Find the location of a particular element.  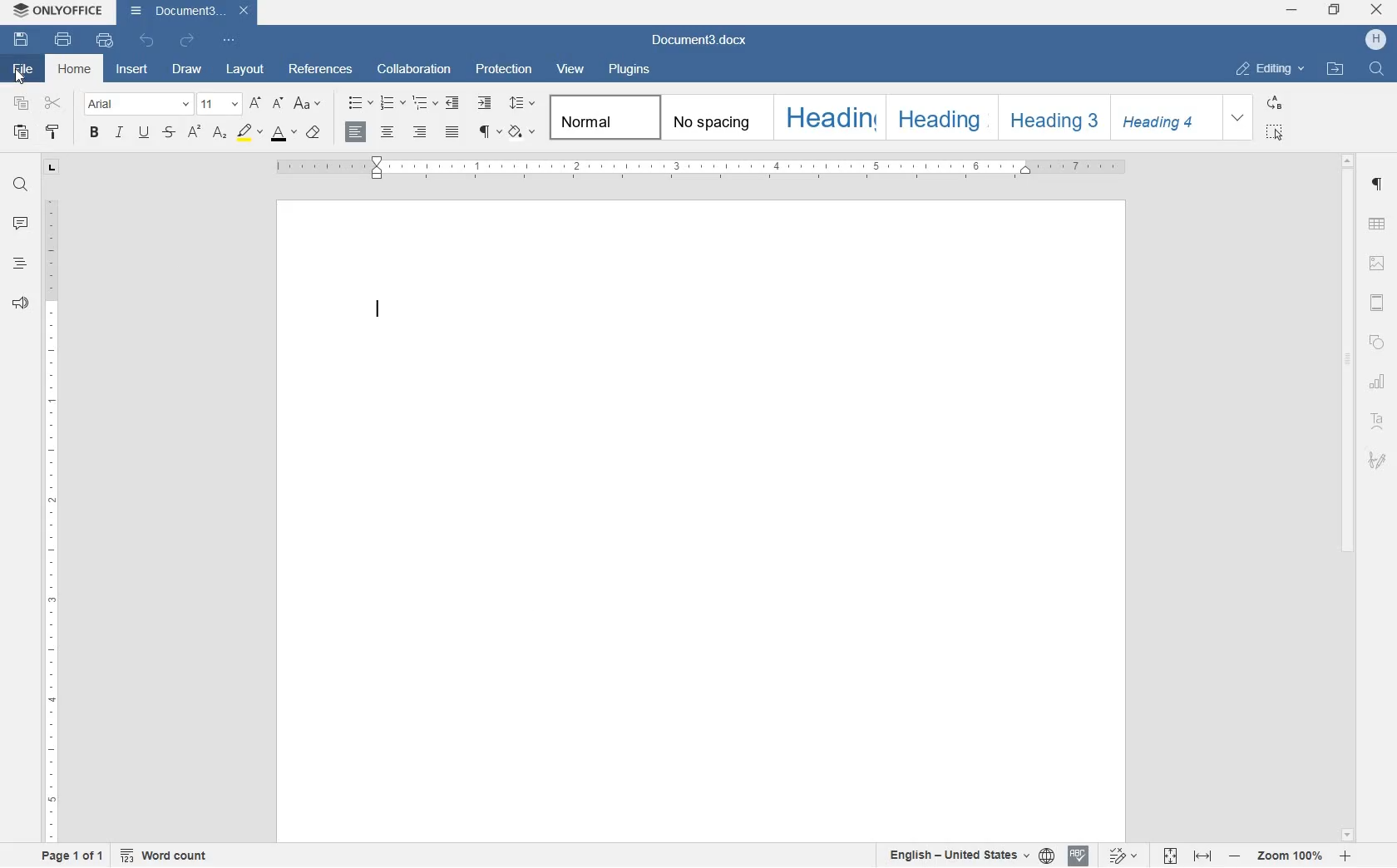

close document3 is located at coordinates (246, 10).